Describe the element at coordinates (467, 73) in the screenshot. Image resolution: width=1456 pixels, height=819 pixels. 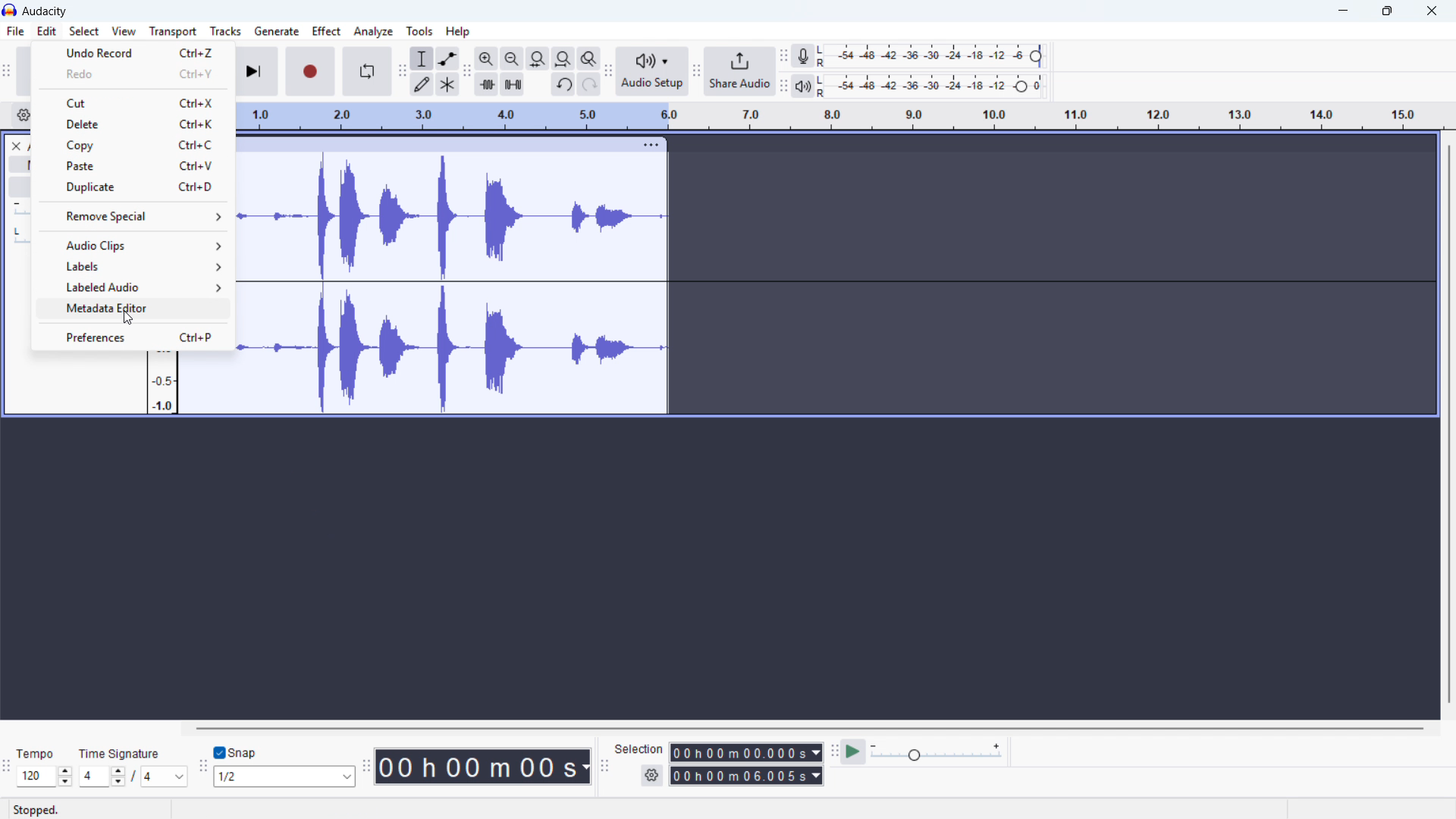
I see `edit toolbar` at that location.